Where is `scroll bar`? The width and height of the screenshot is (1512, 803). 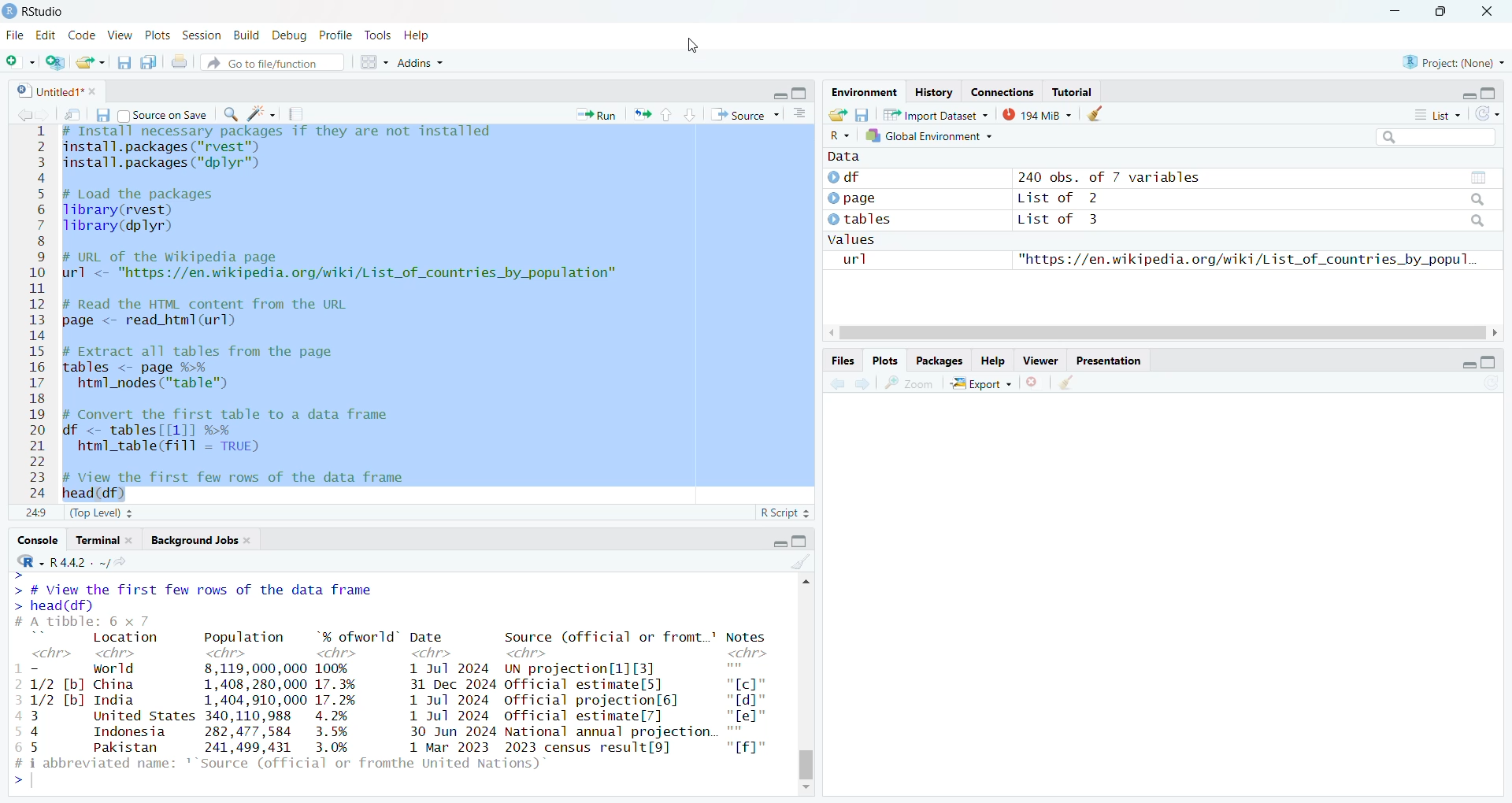
scroll bar is located at coordinates (806, 762).